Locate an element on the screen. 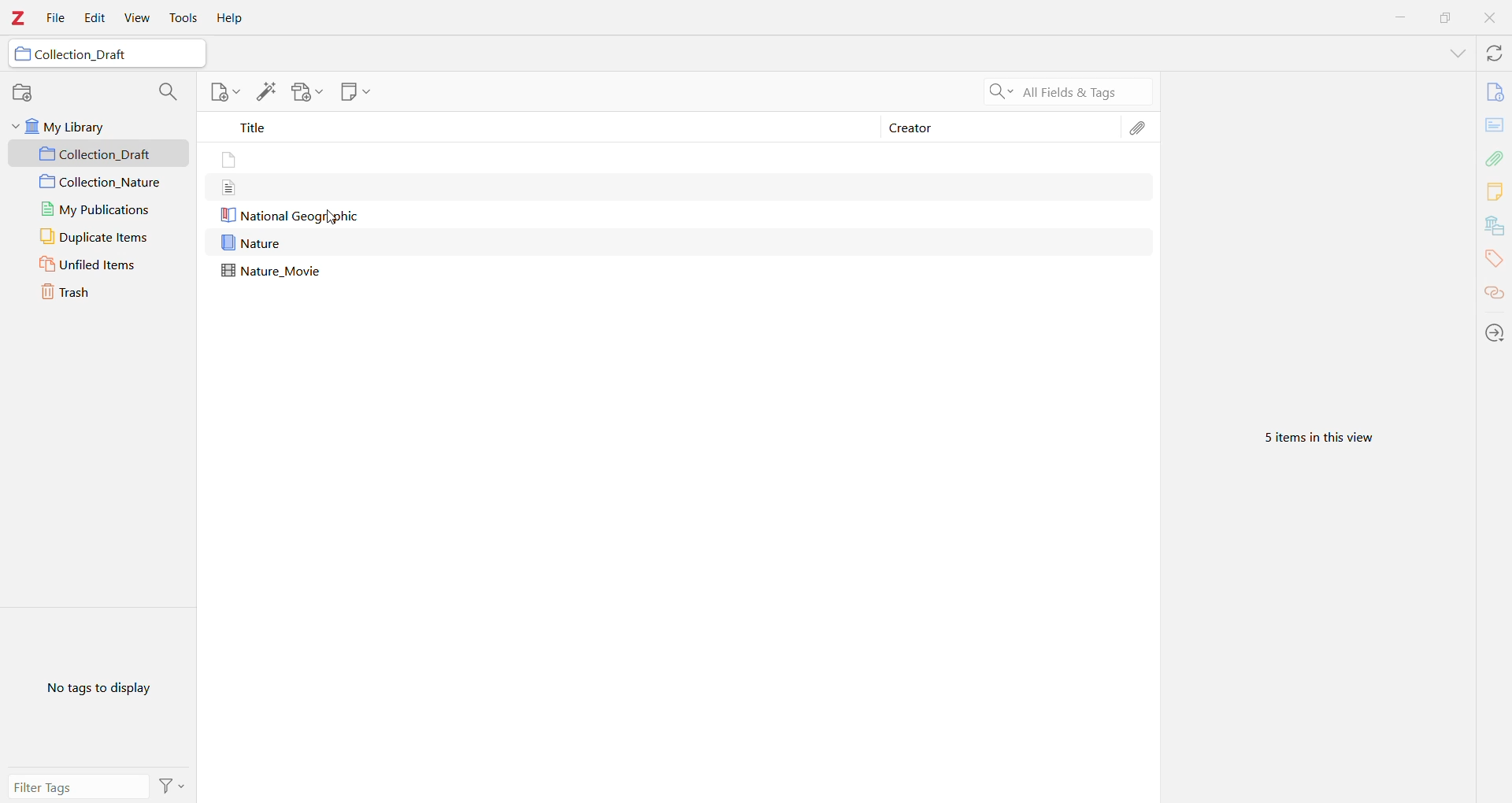  Add Item(s) by Identifier is located at coordinates (269, 92).